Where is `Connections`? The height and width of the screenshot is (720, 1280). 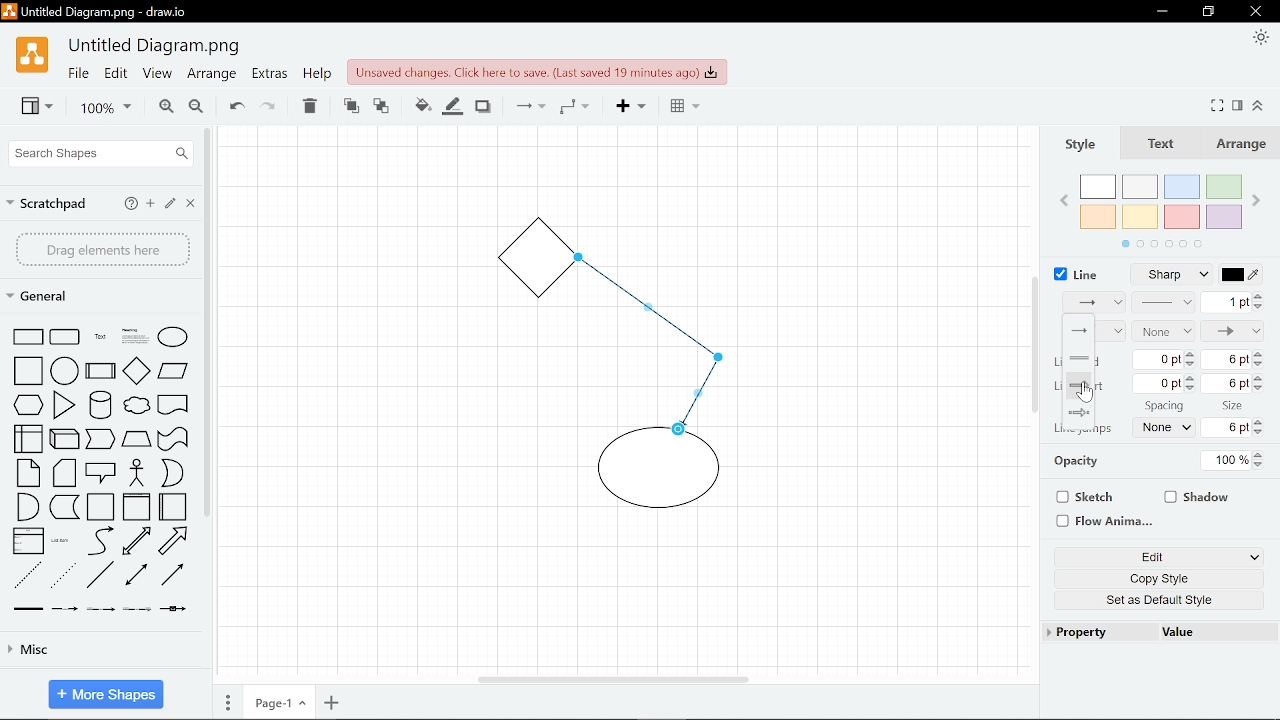
Connections is located at coordinates (528, 107).